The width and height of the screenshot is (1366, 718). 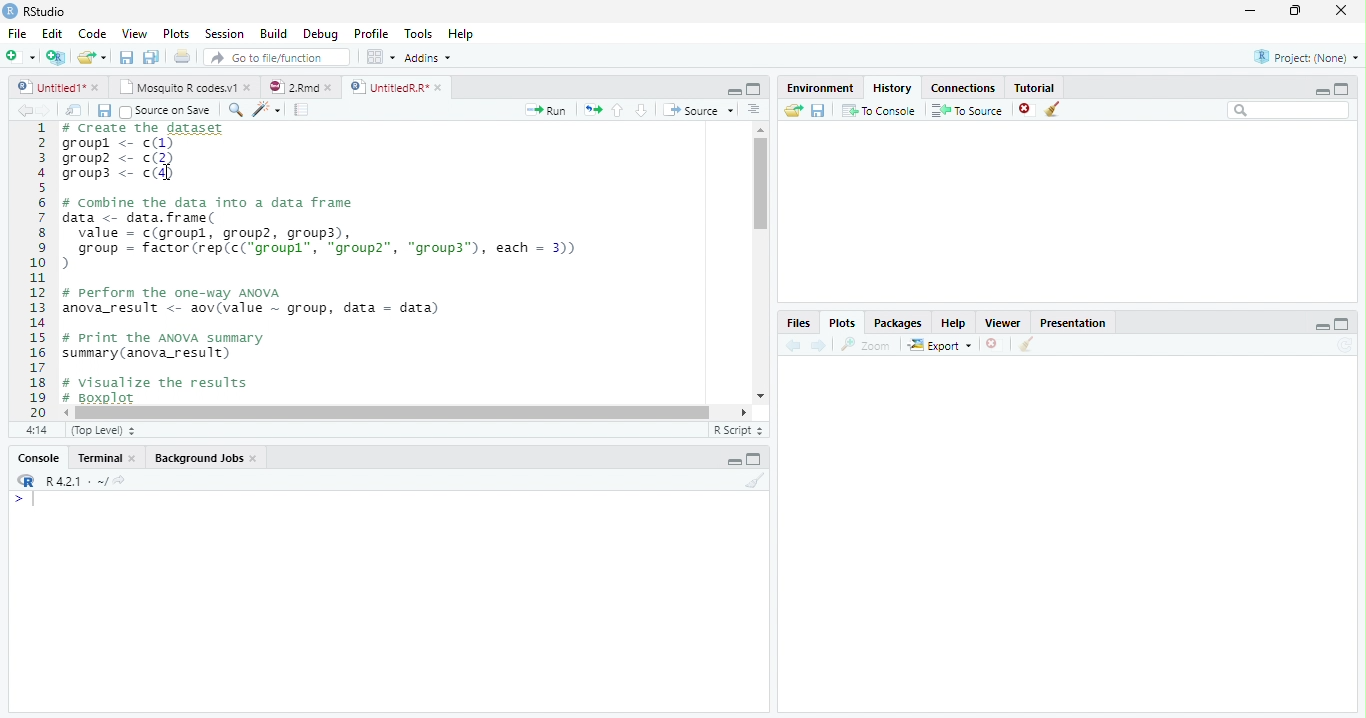 What do you see at coordinates (33, 9) in the screenshot?
I see `Rstudio` at bounding box center [33, 9].